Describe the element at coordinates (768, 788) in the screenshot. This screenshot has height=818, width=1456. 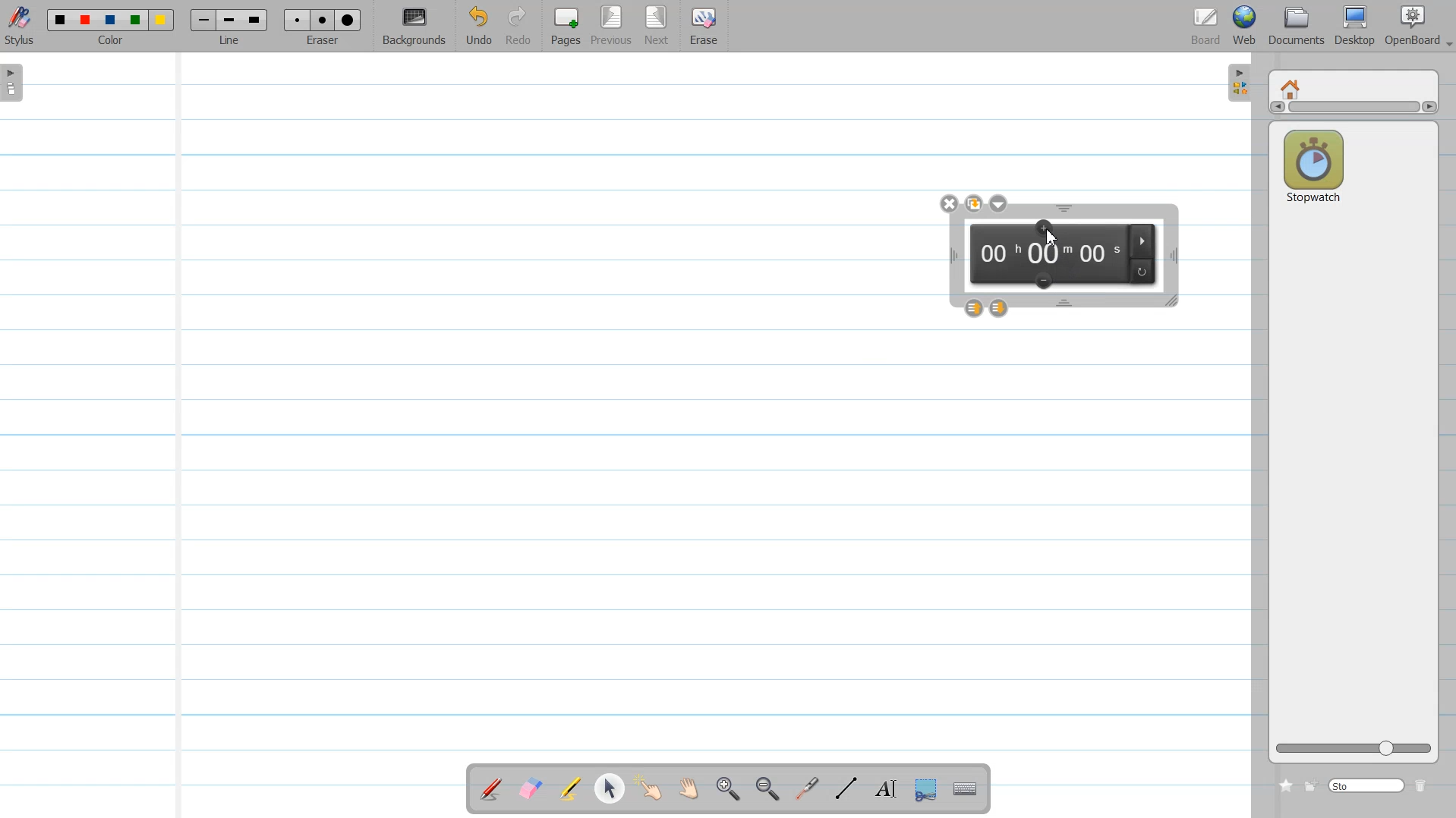
I see `Zoom ////out` at that location.